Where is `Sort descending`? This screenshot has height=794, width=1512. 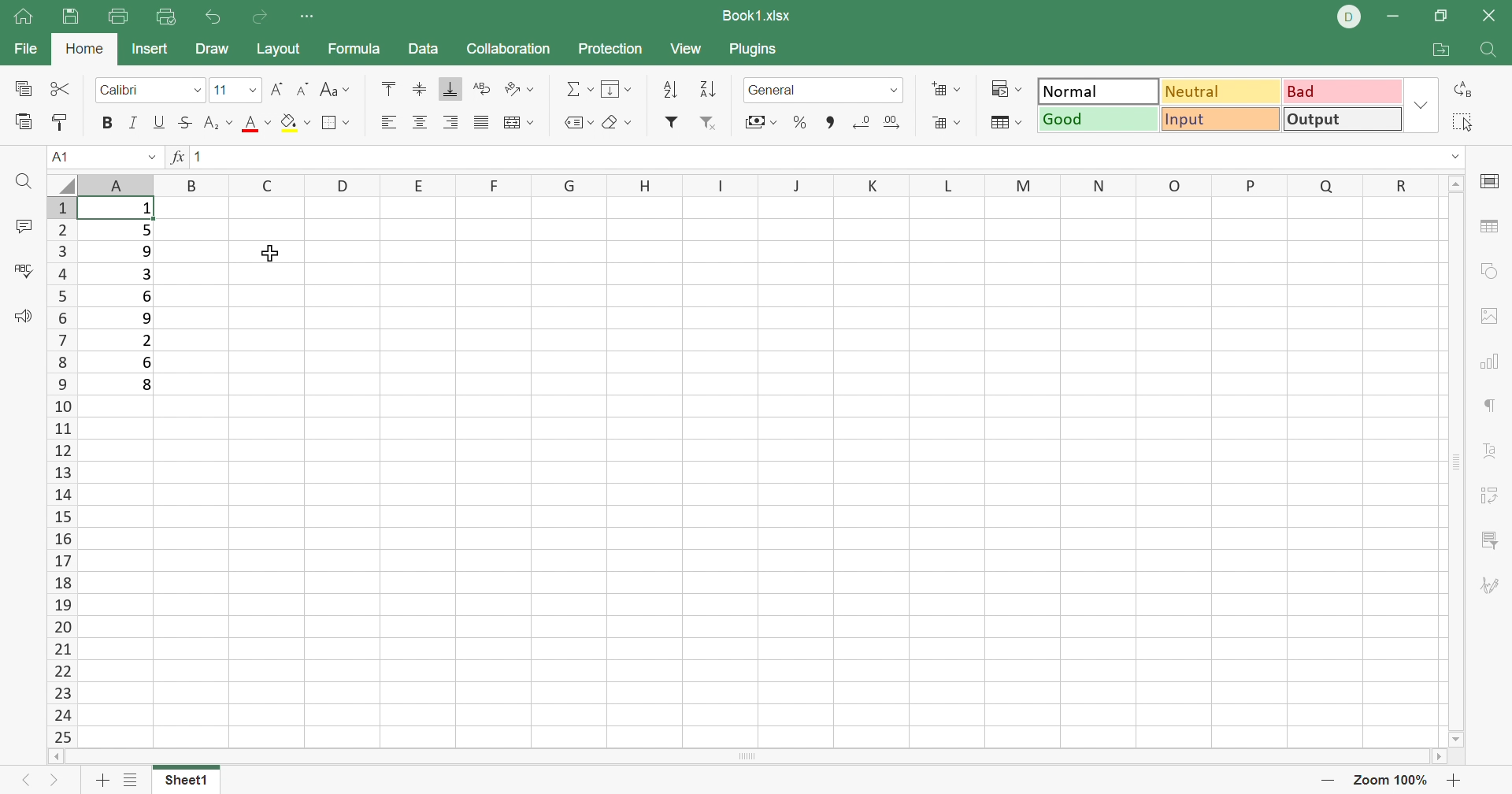
Sort descending is located at coordinates (707, 88).